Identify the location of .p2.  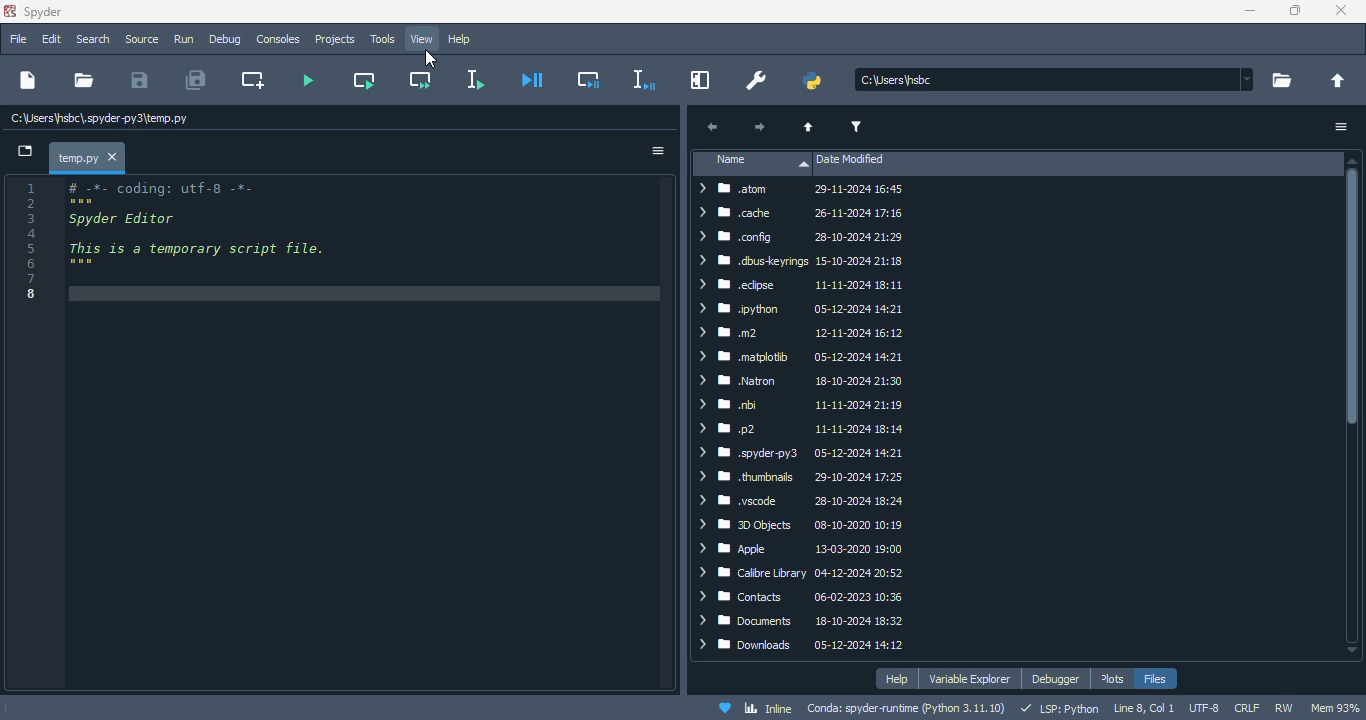
(802, 428).